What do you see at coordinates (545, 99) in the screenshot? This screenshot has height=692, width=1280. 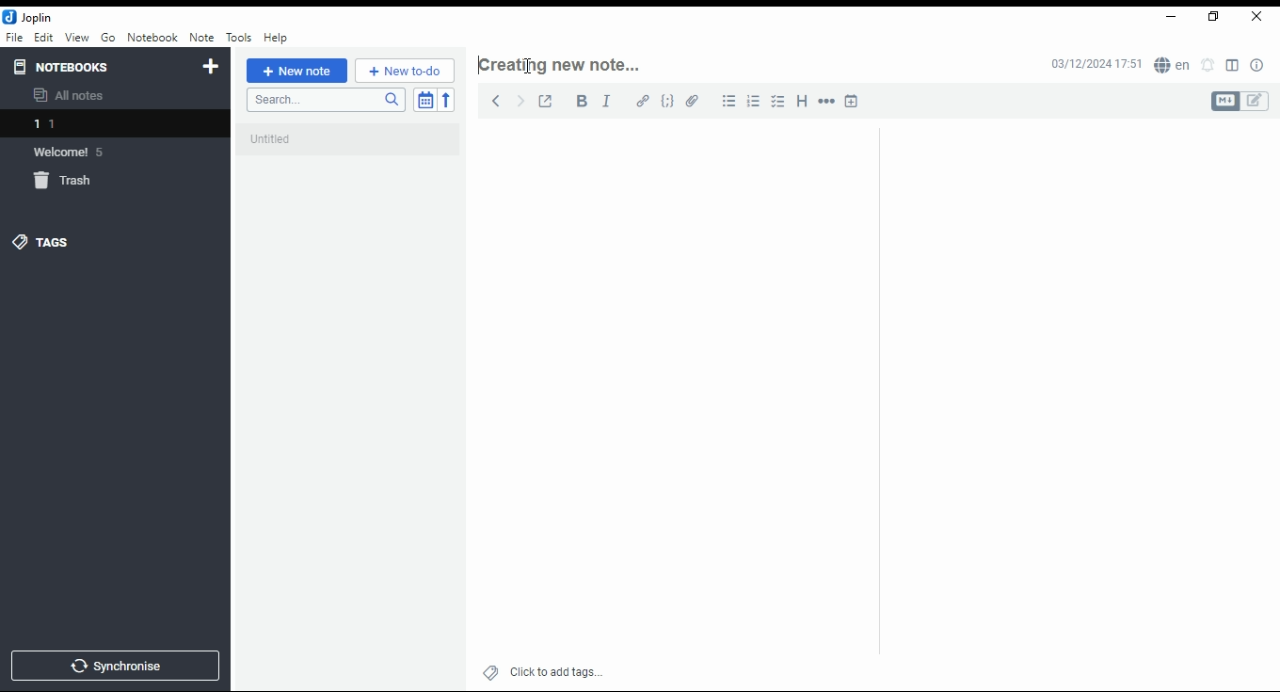 I see `toggle external editing` at bounding box center [545, 99].